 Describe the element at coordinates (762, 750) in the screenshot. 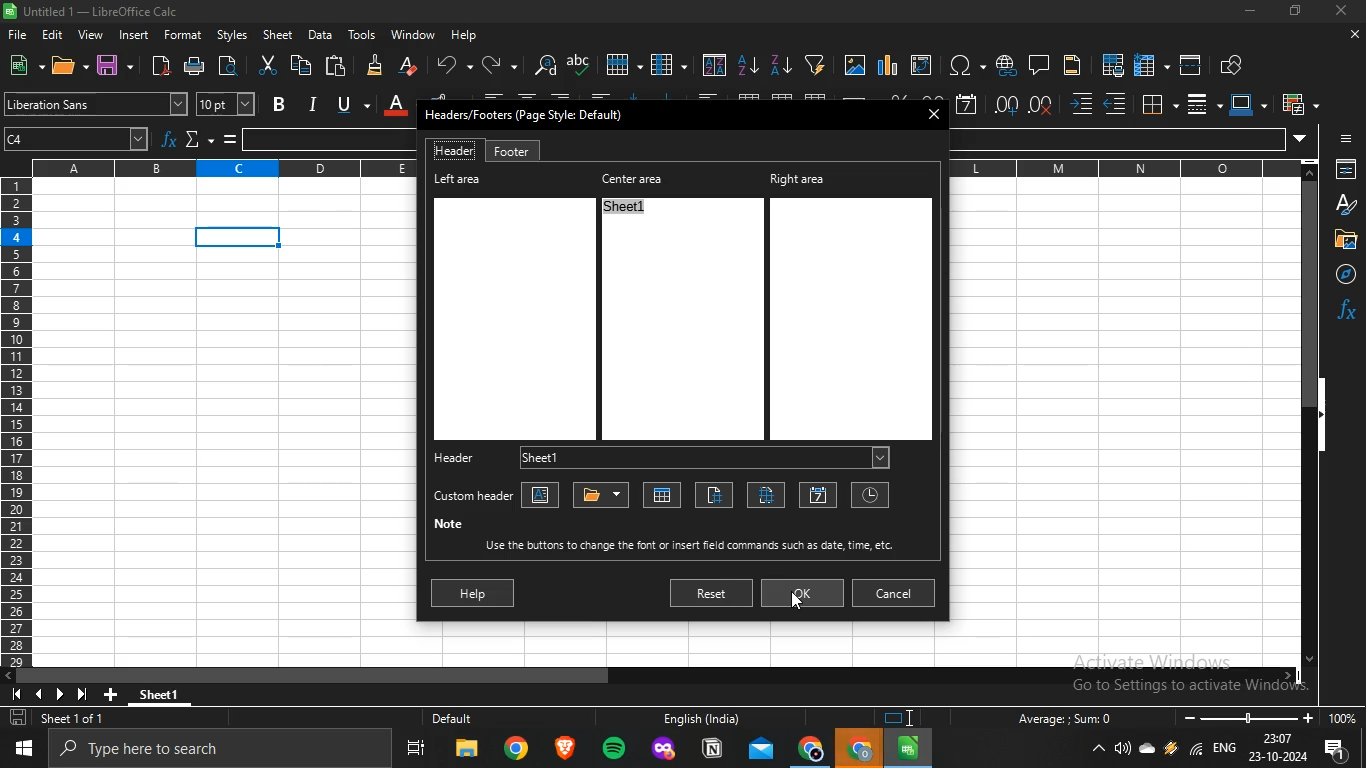

I see `outlook` at that location.